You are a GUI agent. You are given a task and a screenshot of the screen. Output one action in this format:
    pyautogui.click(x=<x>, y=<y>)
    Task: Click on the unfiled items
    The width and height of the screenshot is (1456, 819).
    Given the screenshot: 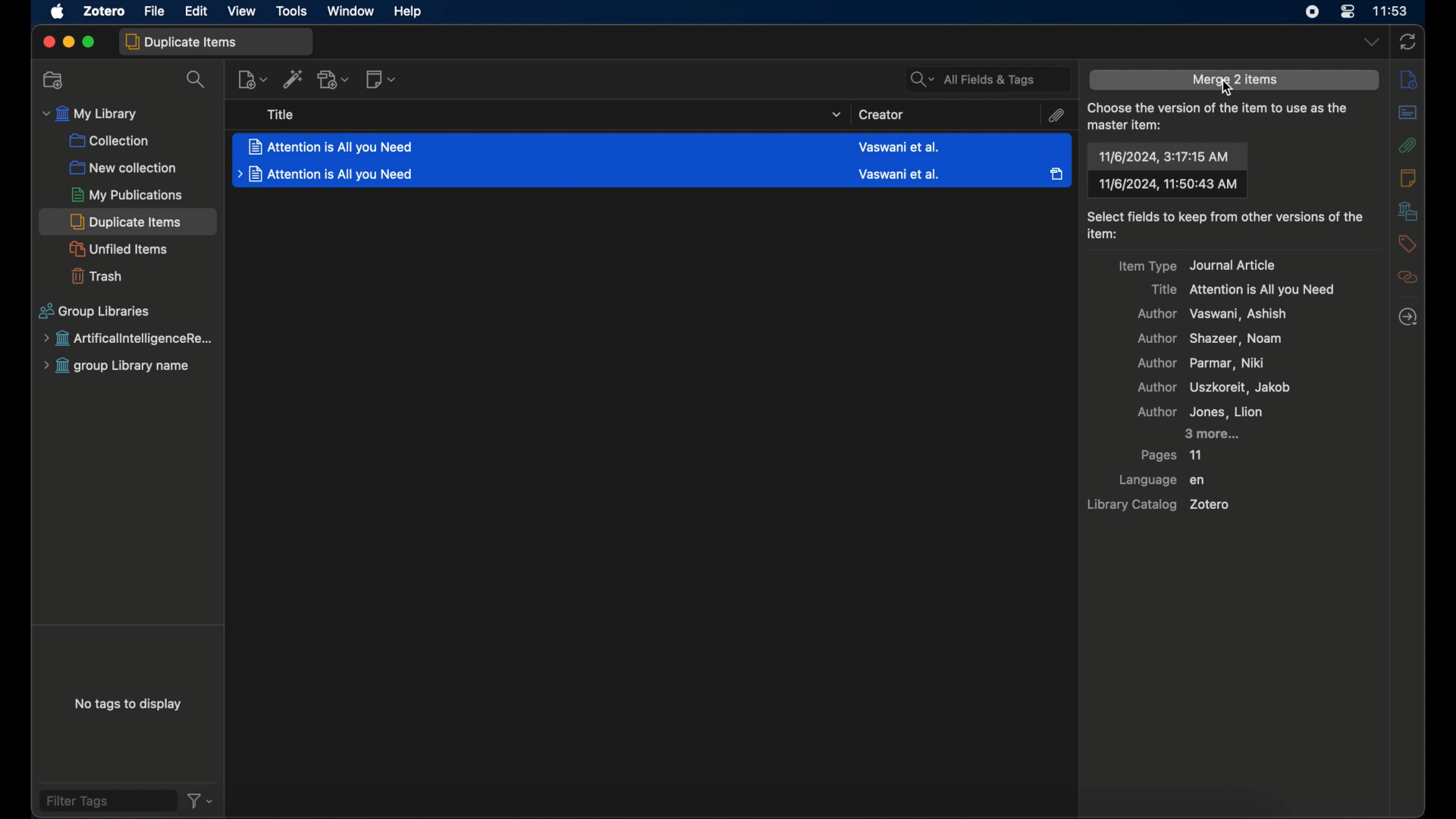 What is the action you would take?
    pyautogui.click(x=116, y=249)
    